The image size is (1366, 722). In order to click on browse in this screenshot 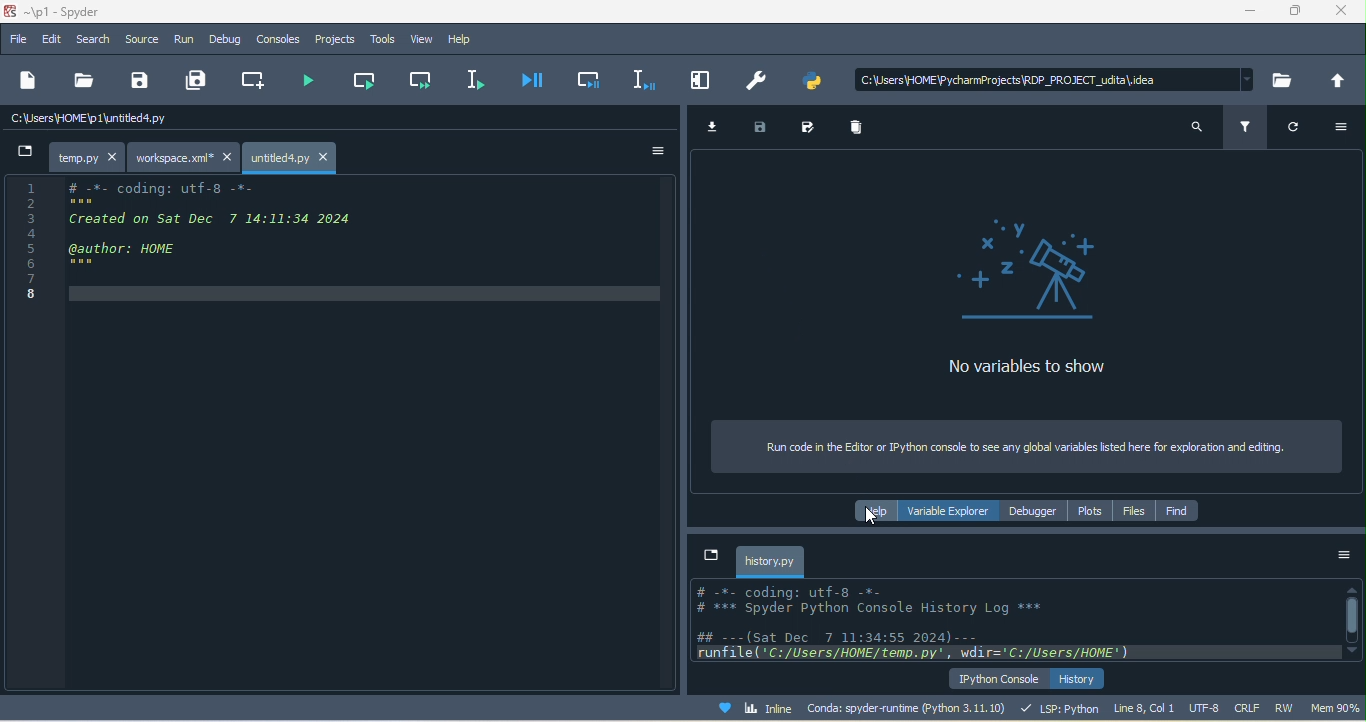, I will do `click(1279, 80)`.